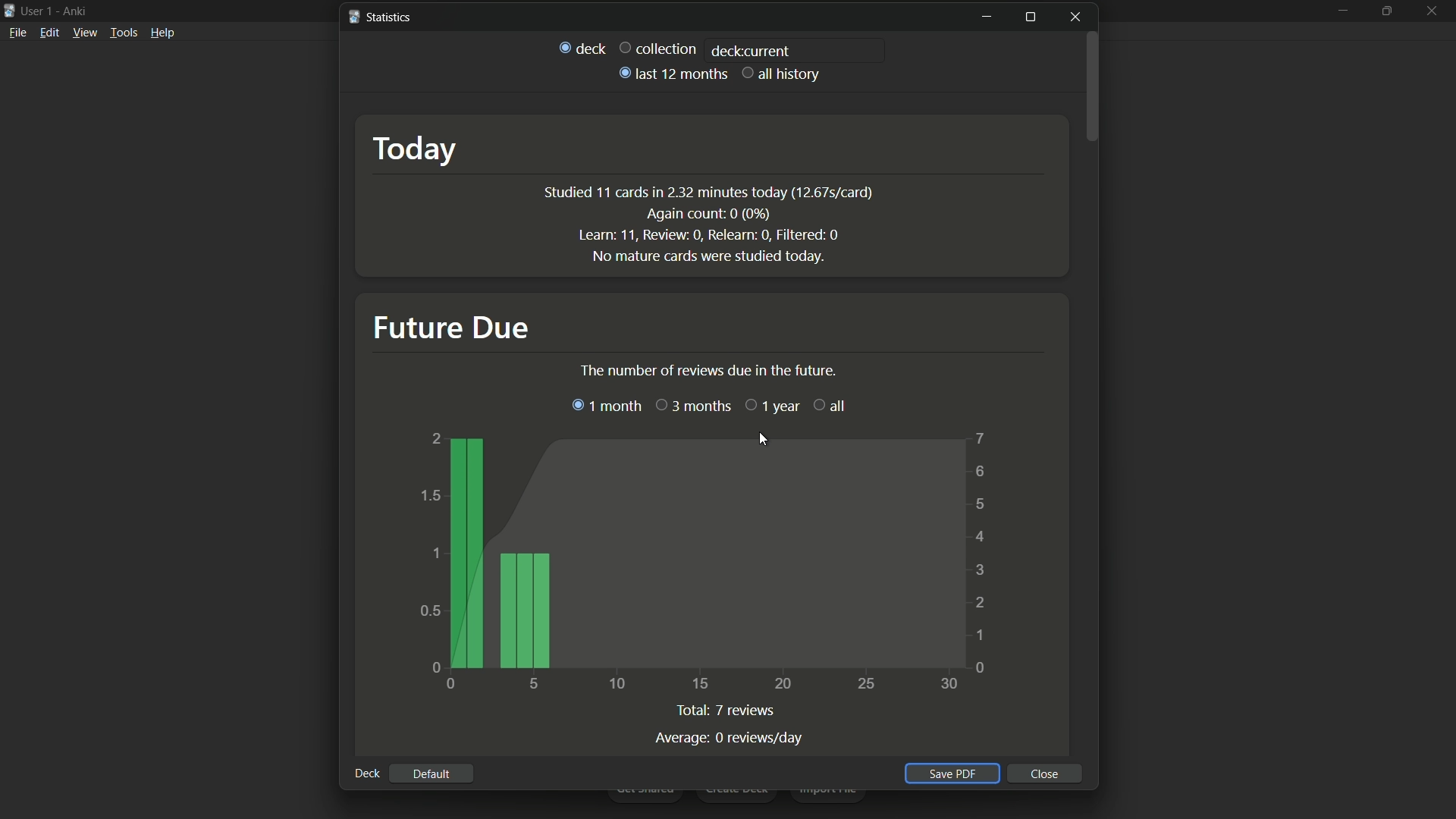 The image size is (1456, 819). Describe the element at coordinates (707, 371) in the screenshot. I see `the number of reviews due in the future` at that location.